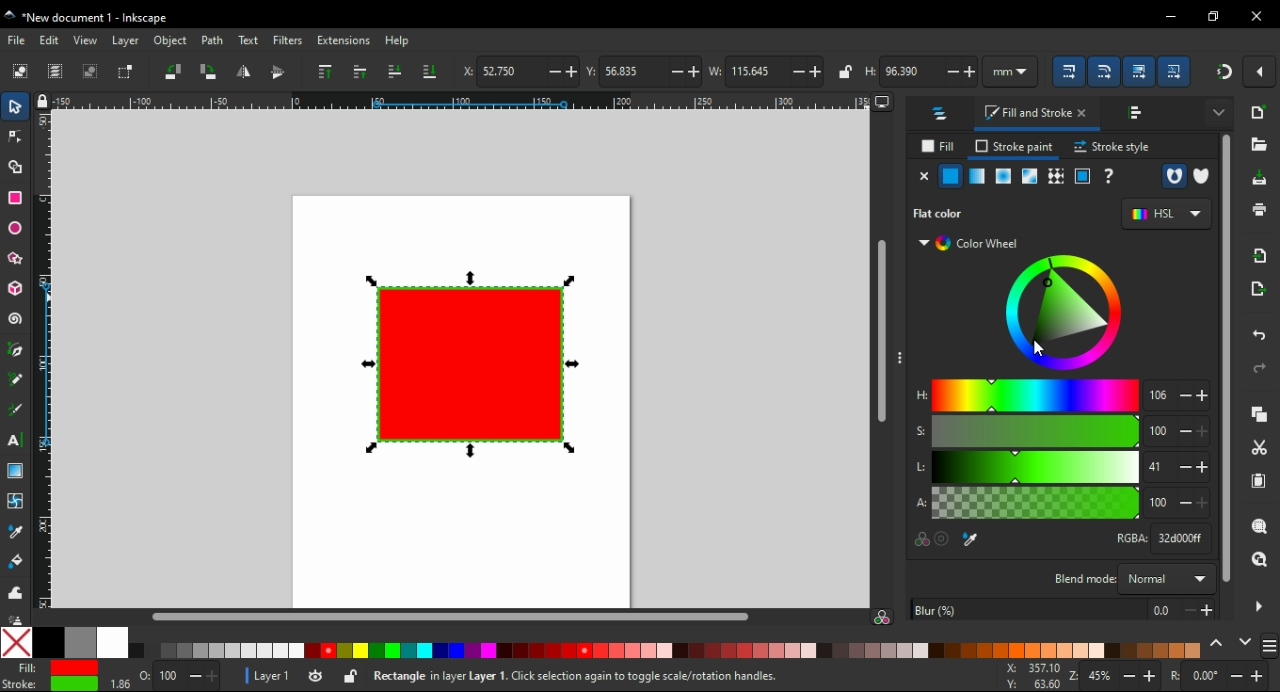 The image size is (1280, 692). I want to click on fill, so click(937, 146).